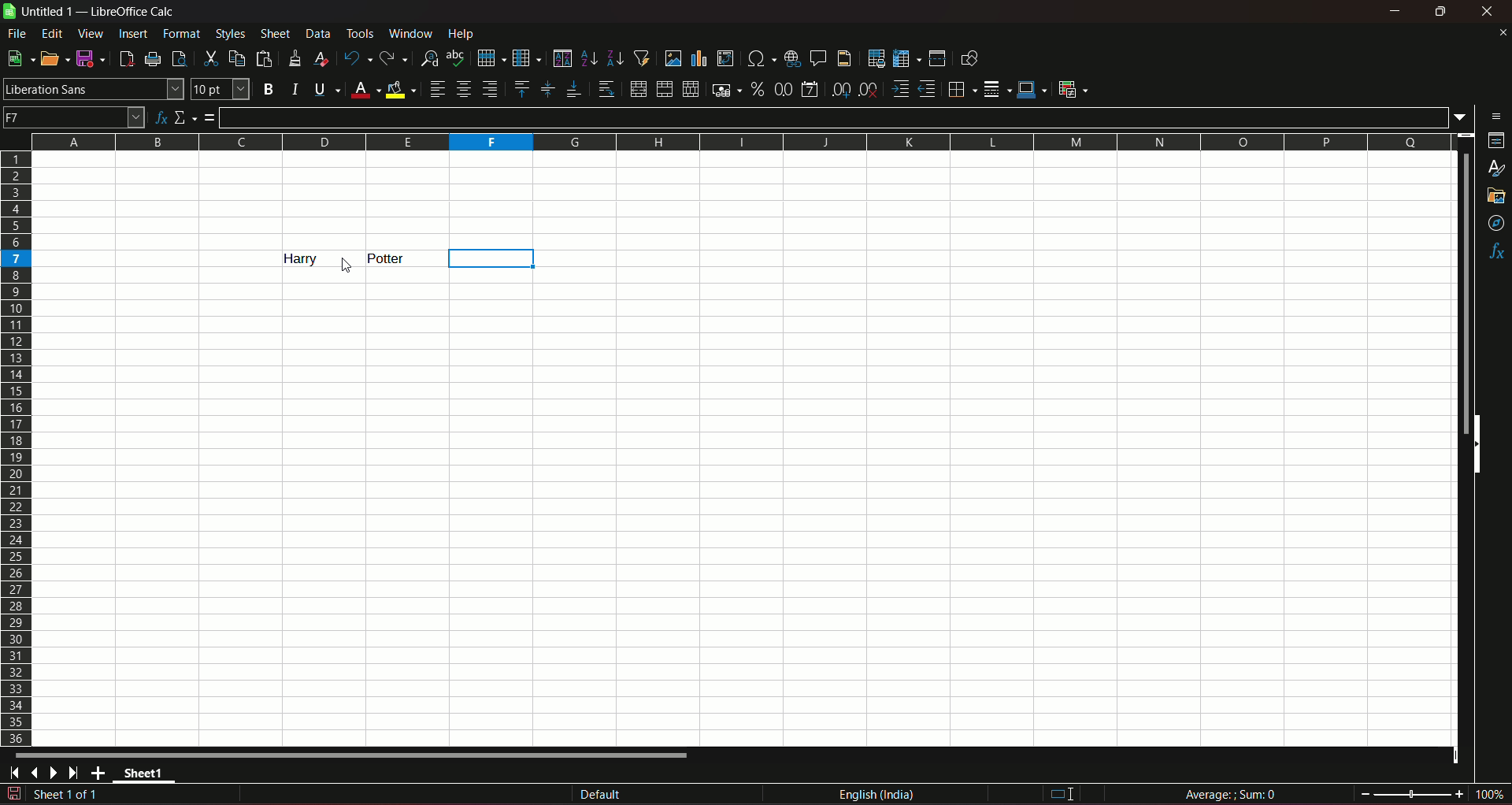 This screenshot has width=1512, height=805. I want to click on define print area, so click(876, 59).